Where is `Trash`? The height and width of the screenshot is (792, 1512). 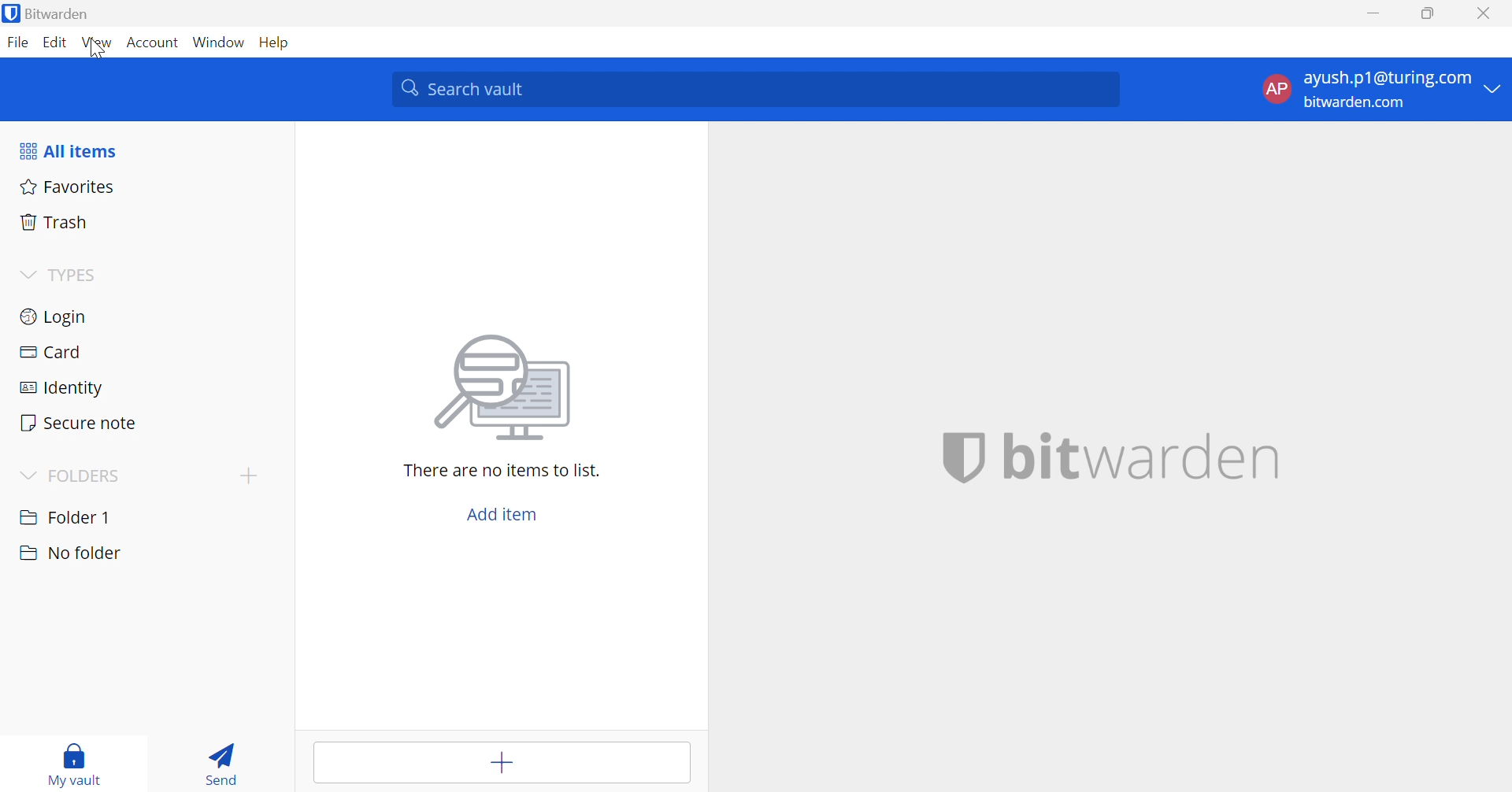 Trash is located at coordinates (58, 222).